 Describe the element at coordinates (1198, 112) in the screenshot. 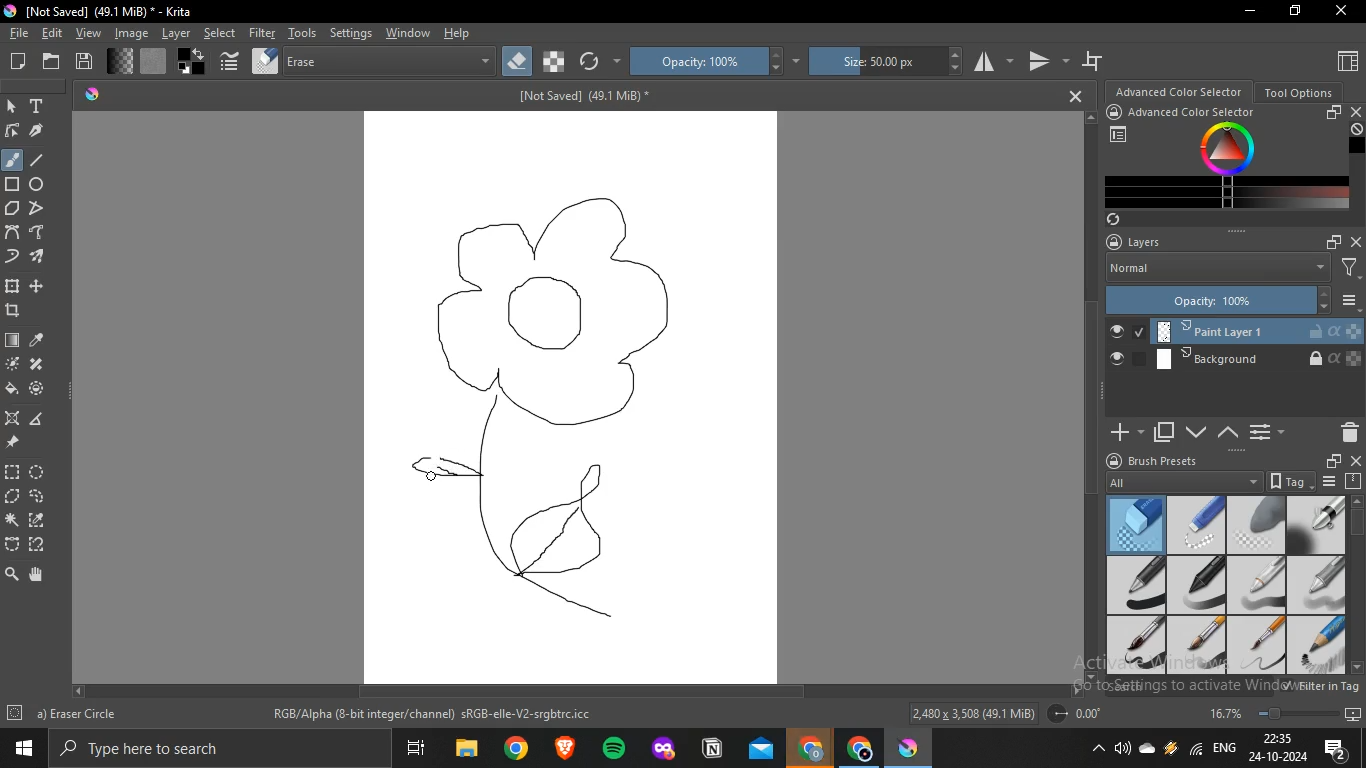

I see `advanced color selector` at that location.